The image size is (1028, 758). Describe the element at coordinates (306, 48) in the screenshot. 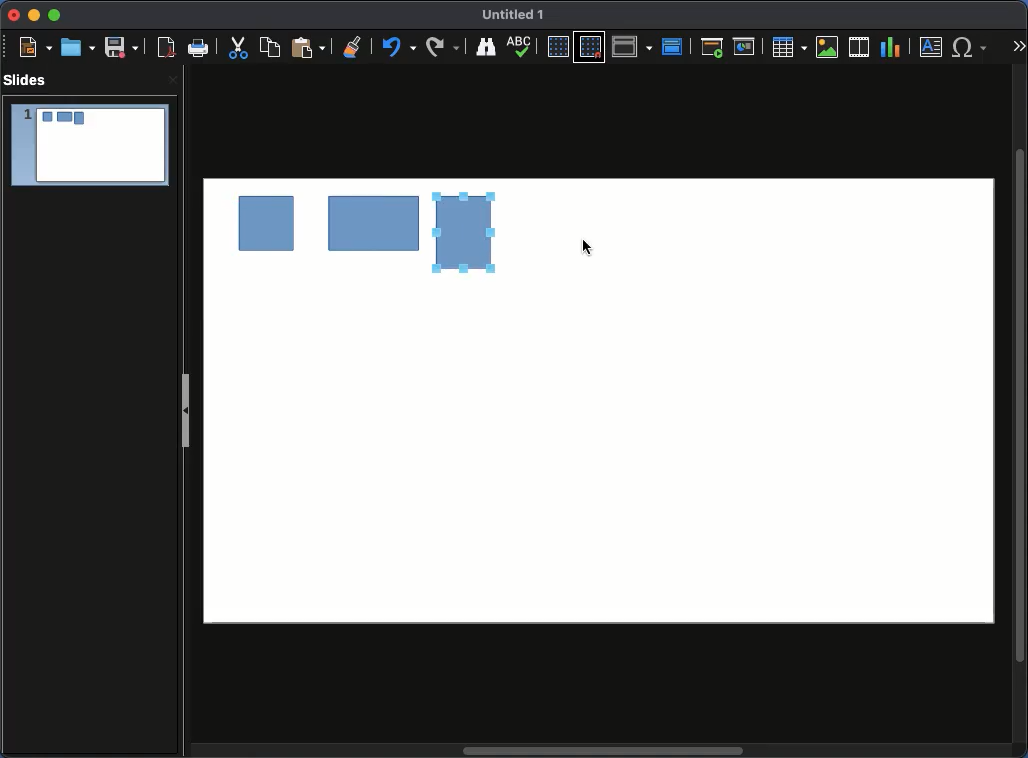

I see `Paste` at that location.